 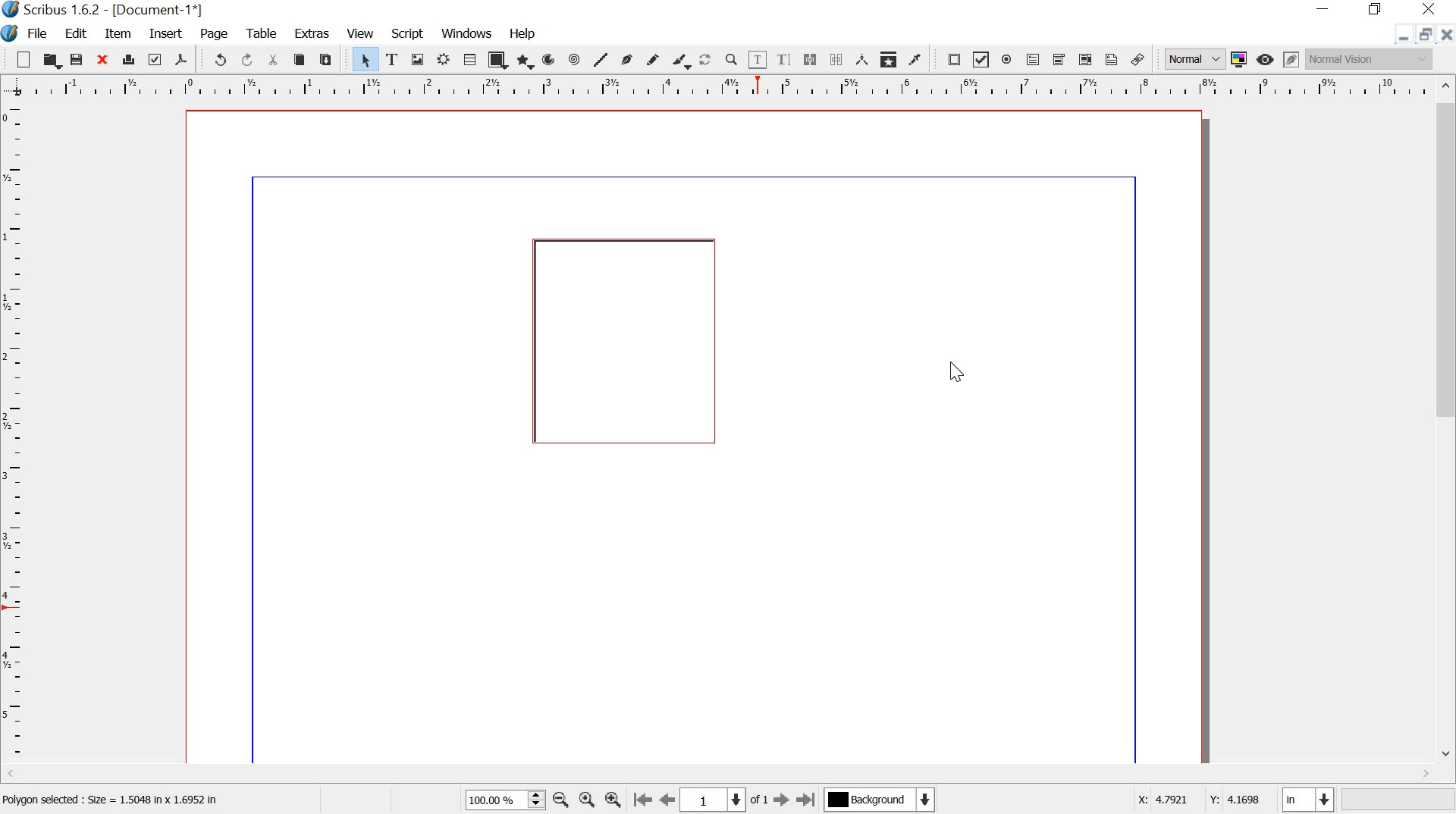 I want to click on print, so click(x=129, y=59).